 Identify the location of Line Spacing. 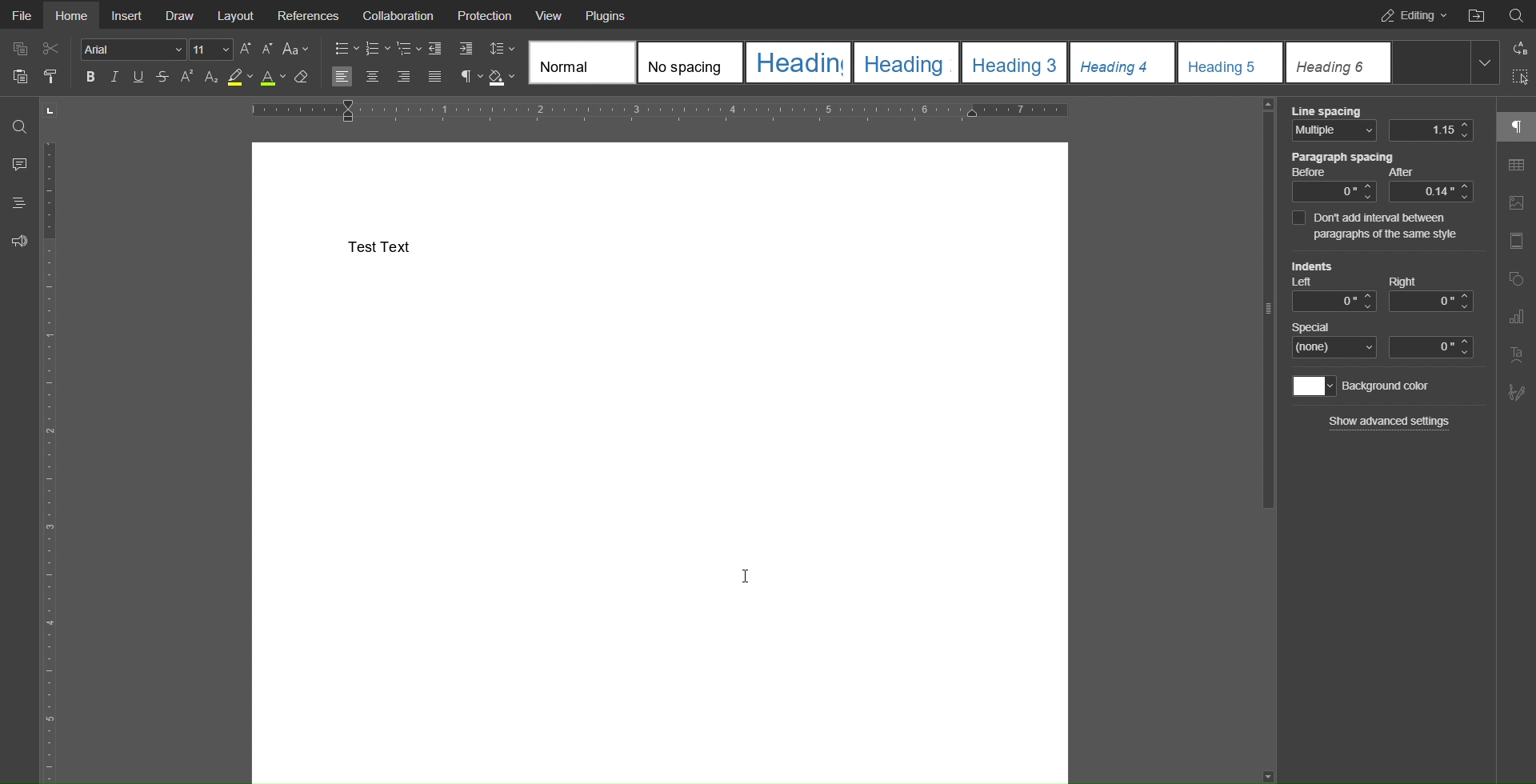
(1382, 124).